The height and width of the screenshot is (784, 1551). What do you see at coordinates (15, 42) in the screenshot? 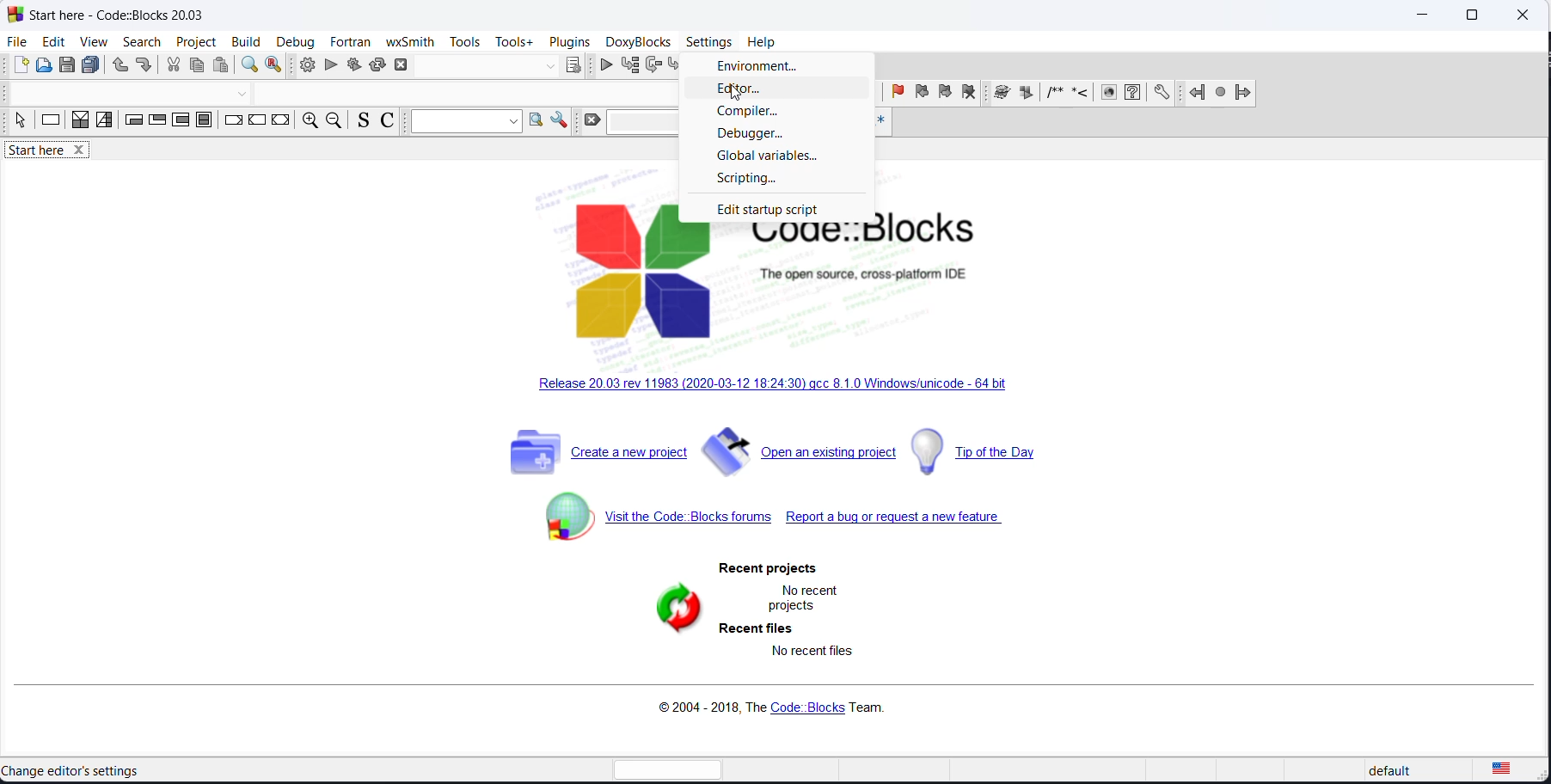
I see `file` at bounding box center [15, 42].